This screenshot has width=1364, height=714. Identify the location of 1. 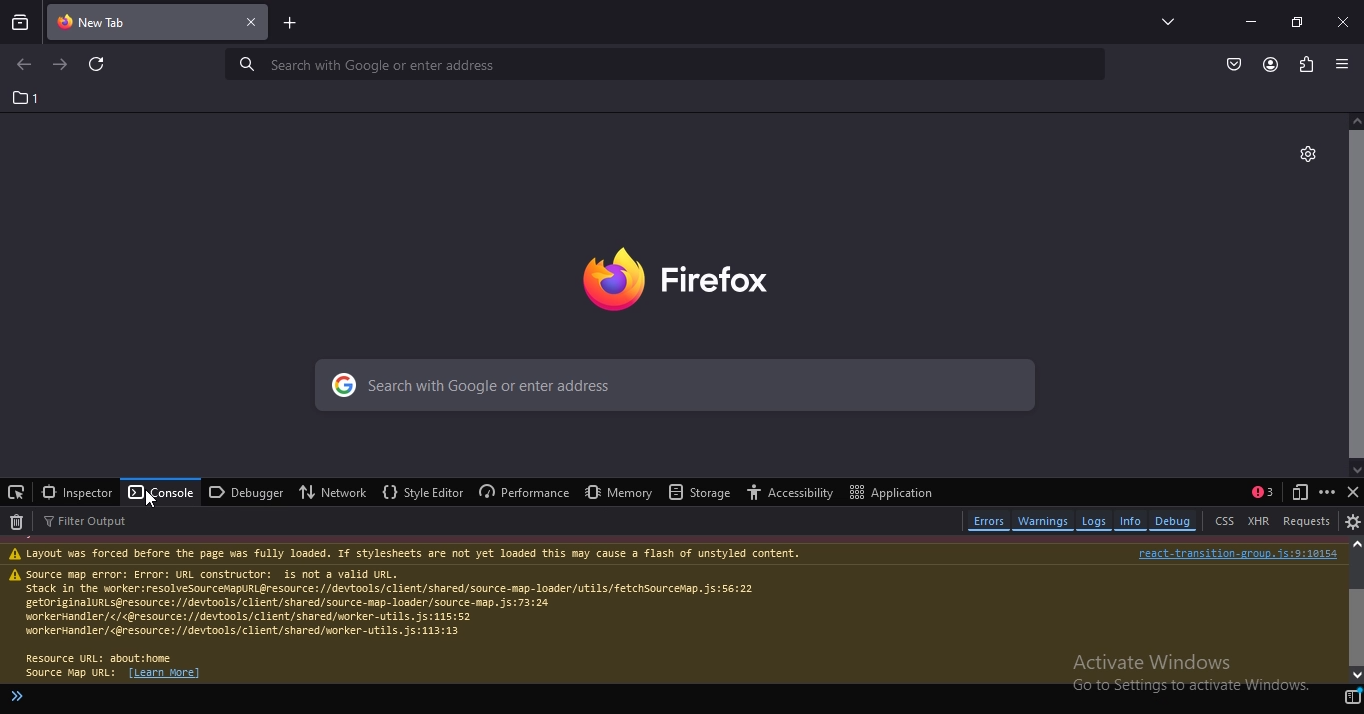
(24, 97).